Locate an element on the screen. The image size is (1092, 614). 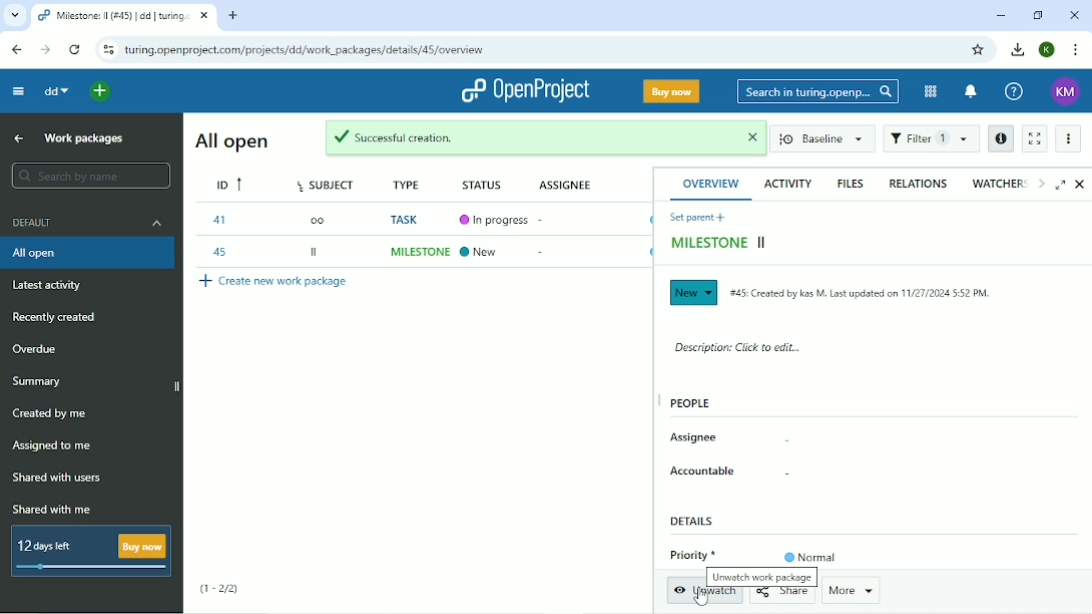
Help is located at coordinates (1014, 92).